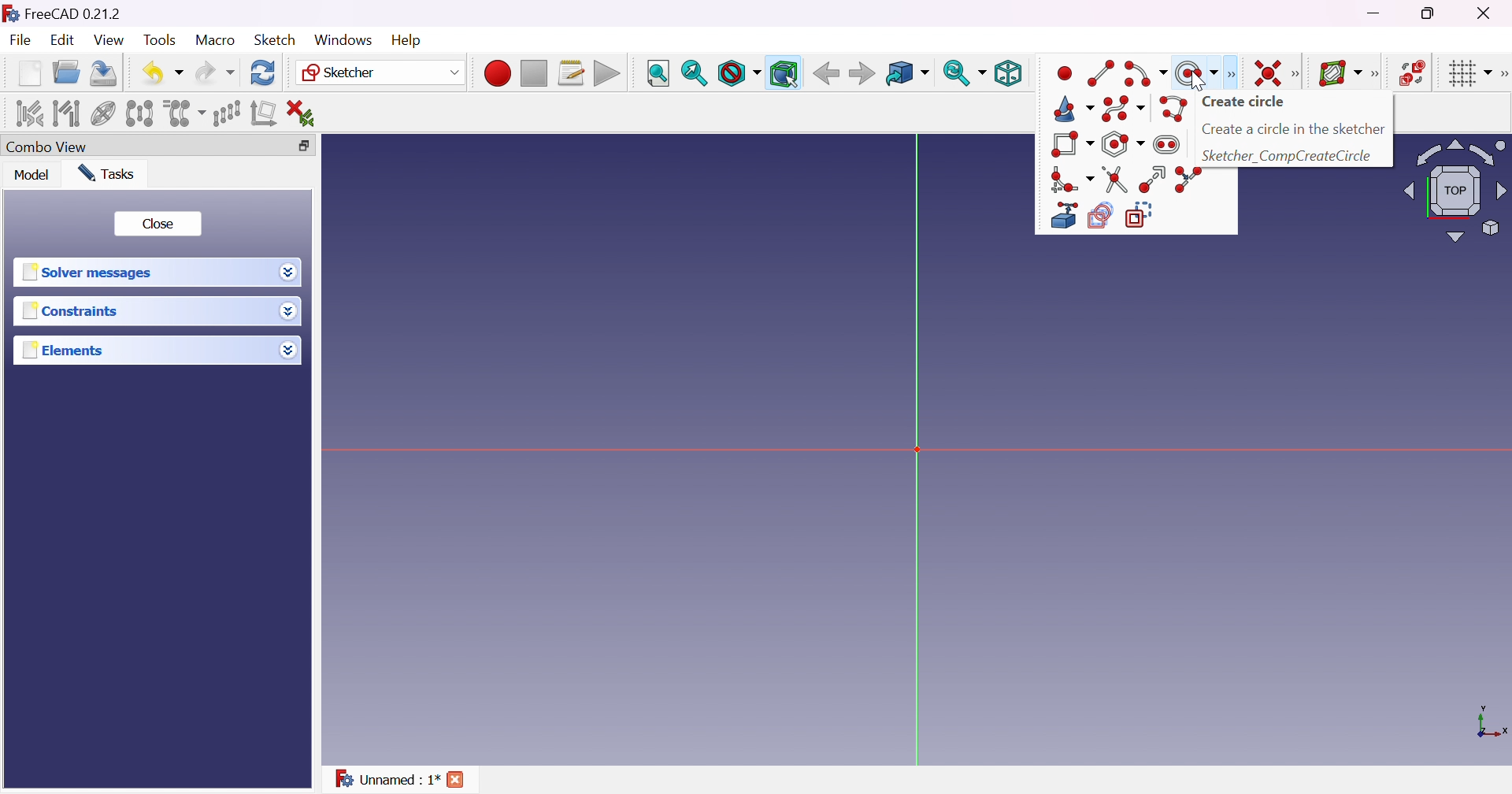  What do you see at coordinates (265, 113) in the screenshot?
I see `Remove axes alignment` at bounding box center [265, 113].